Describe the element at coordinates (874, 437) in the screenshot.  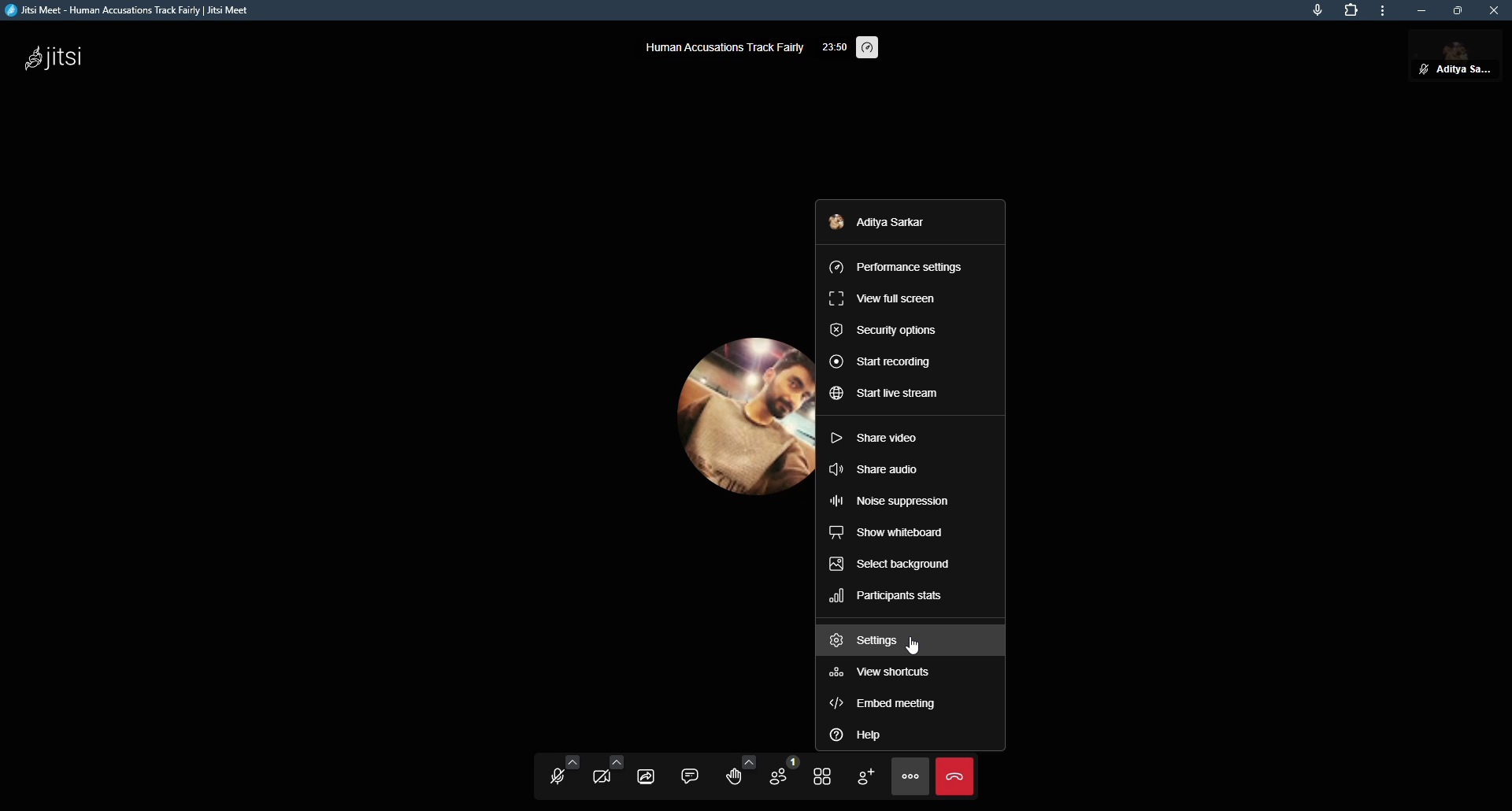
I see `share video` at that location.